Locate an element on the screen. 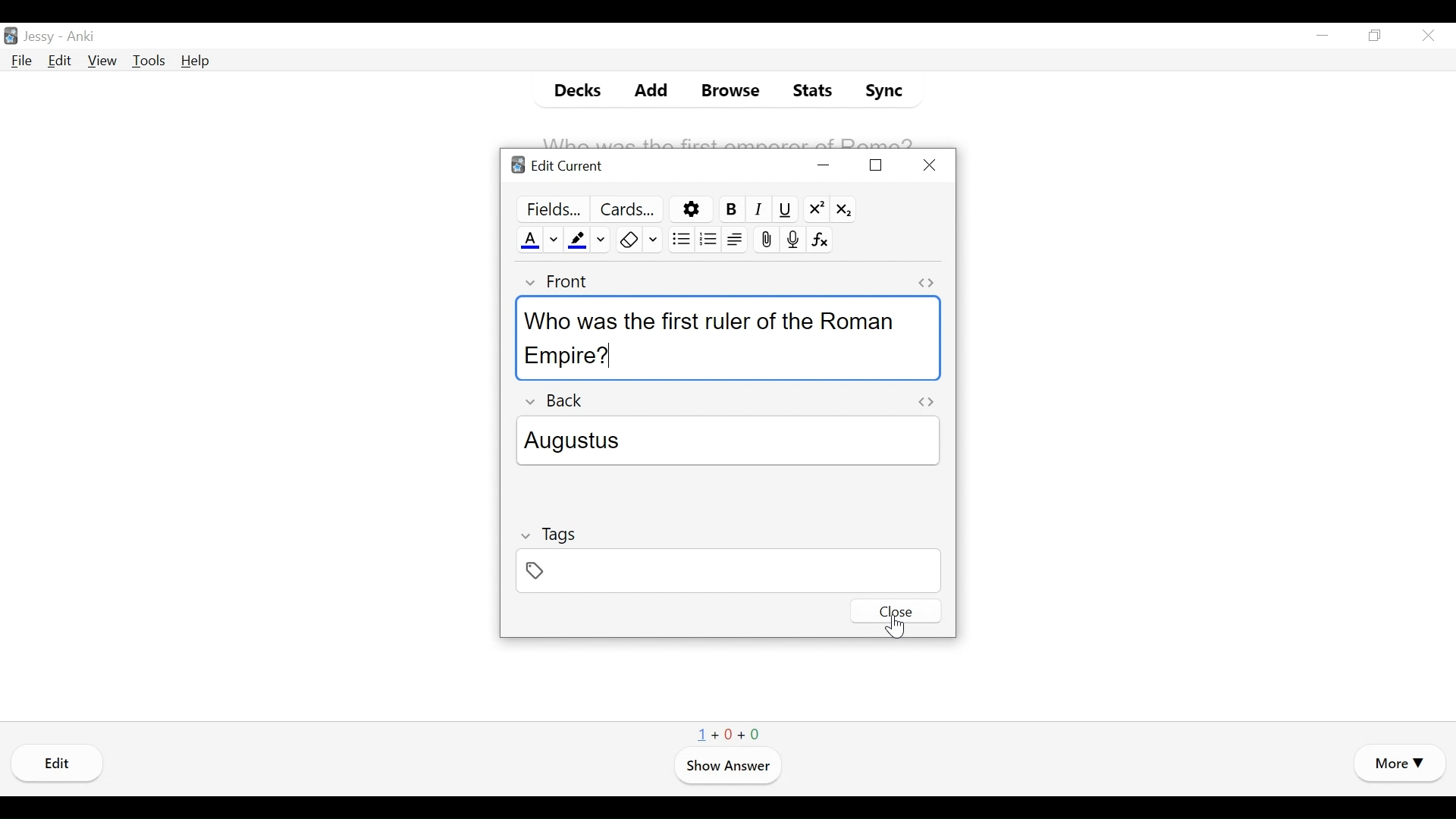  View is located at coordinates (101, 61).